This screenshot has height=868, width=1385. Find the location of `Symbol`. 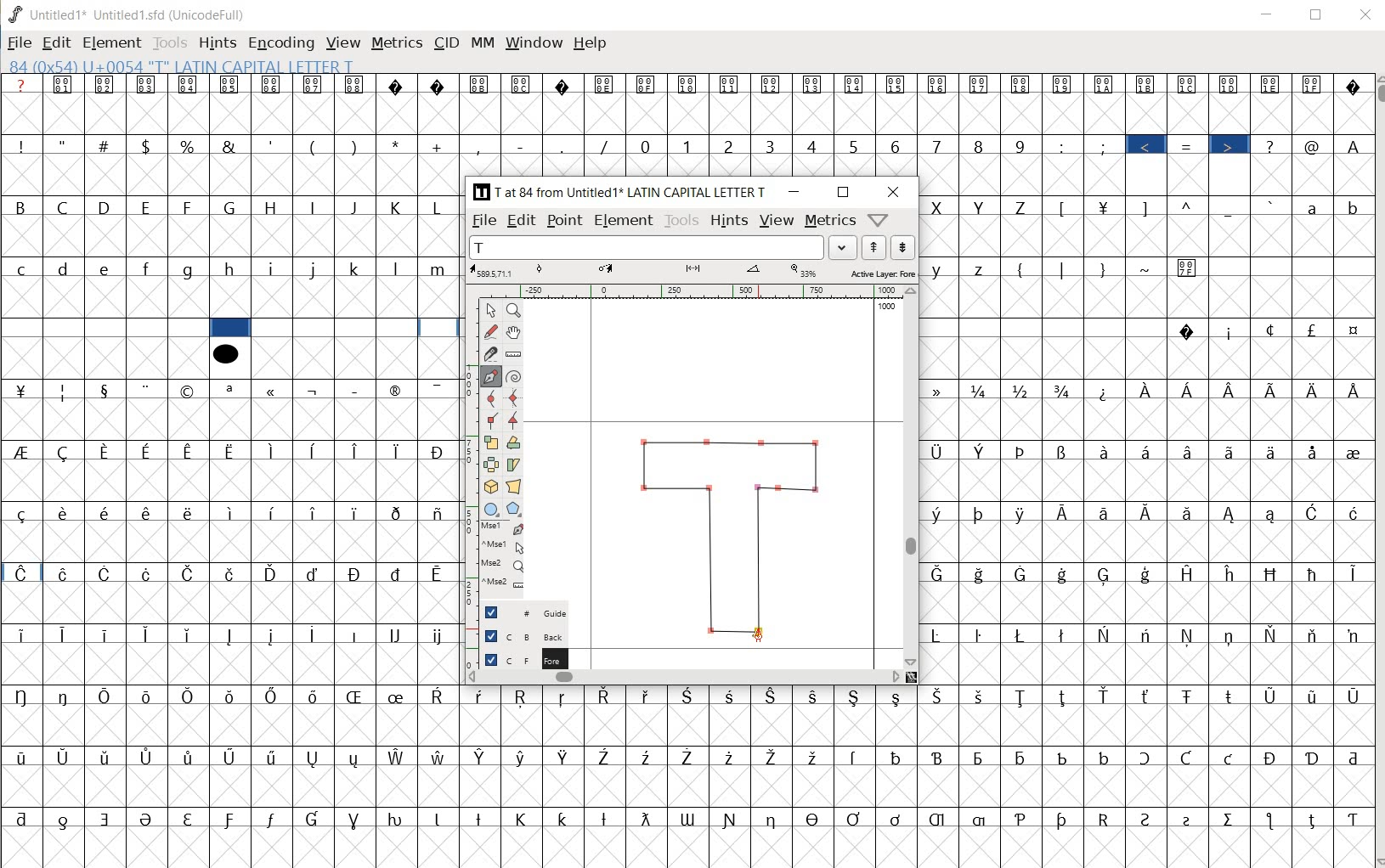

Symbol is located at coordinates (149, 511).